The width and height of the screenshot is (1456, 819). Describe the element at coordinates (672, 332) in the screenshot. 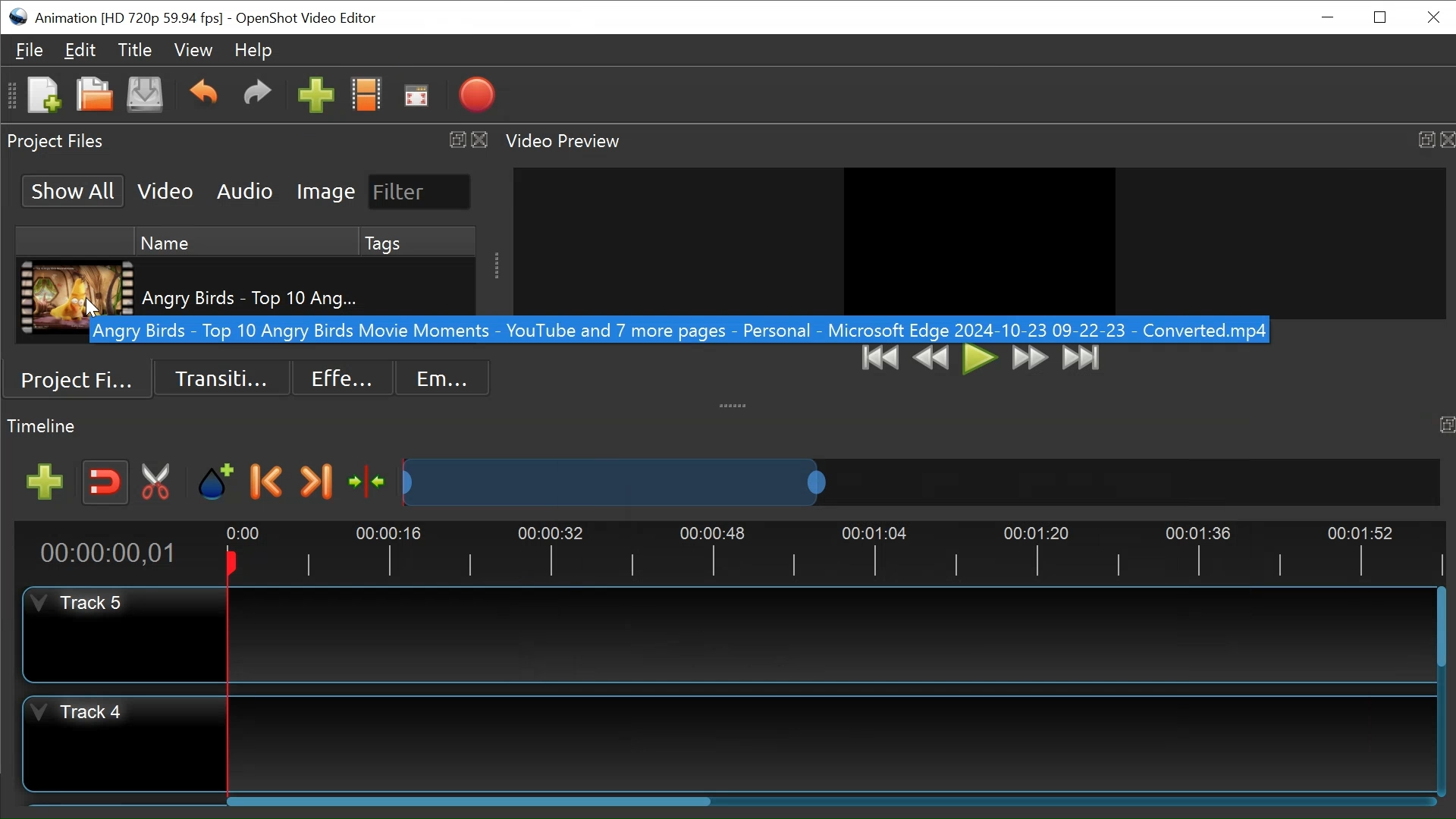

I see `text` at that location.